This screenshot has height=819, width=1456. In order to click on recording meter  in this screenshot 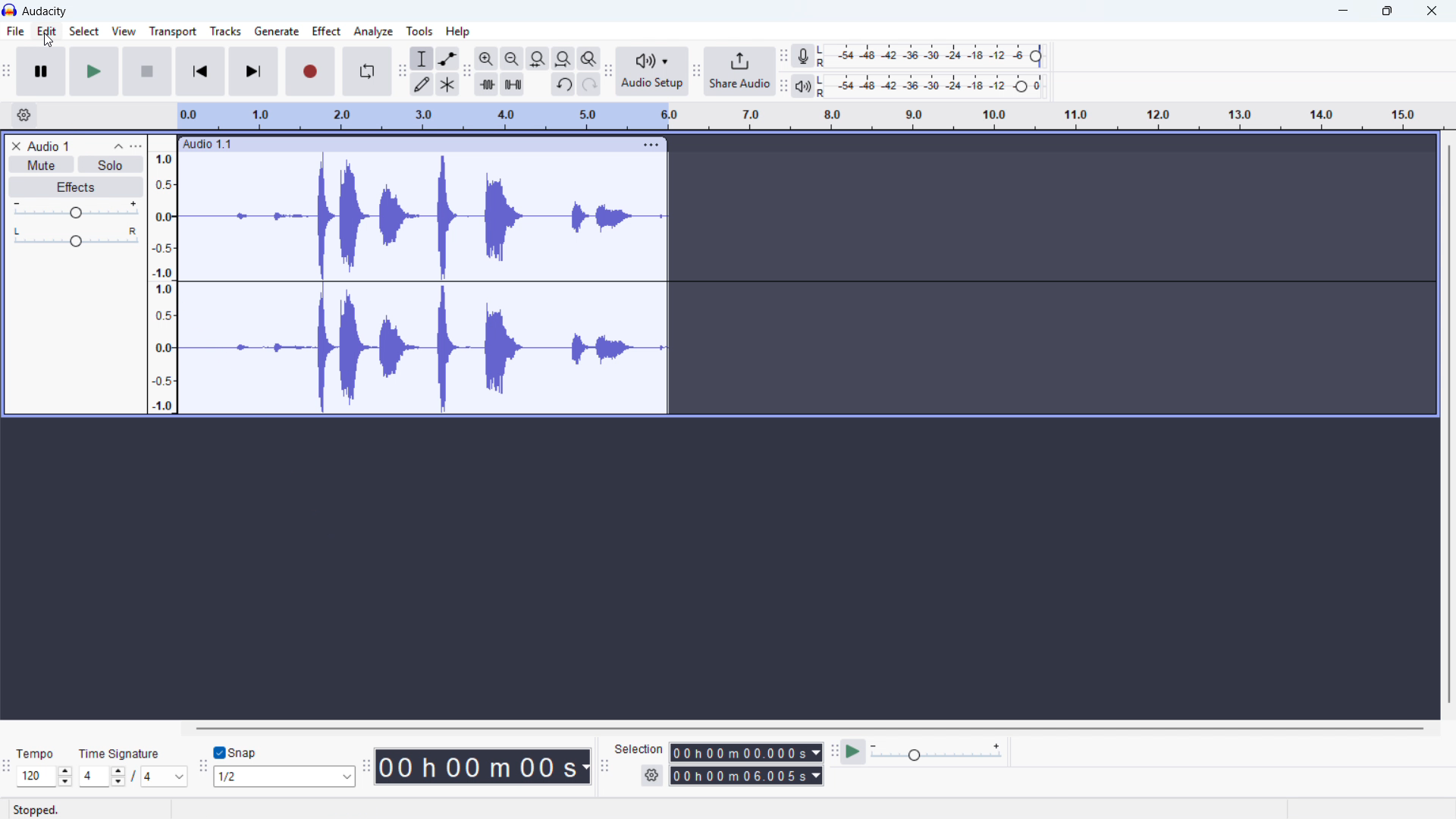, I will do `click(804, 56)`.